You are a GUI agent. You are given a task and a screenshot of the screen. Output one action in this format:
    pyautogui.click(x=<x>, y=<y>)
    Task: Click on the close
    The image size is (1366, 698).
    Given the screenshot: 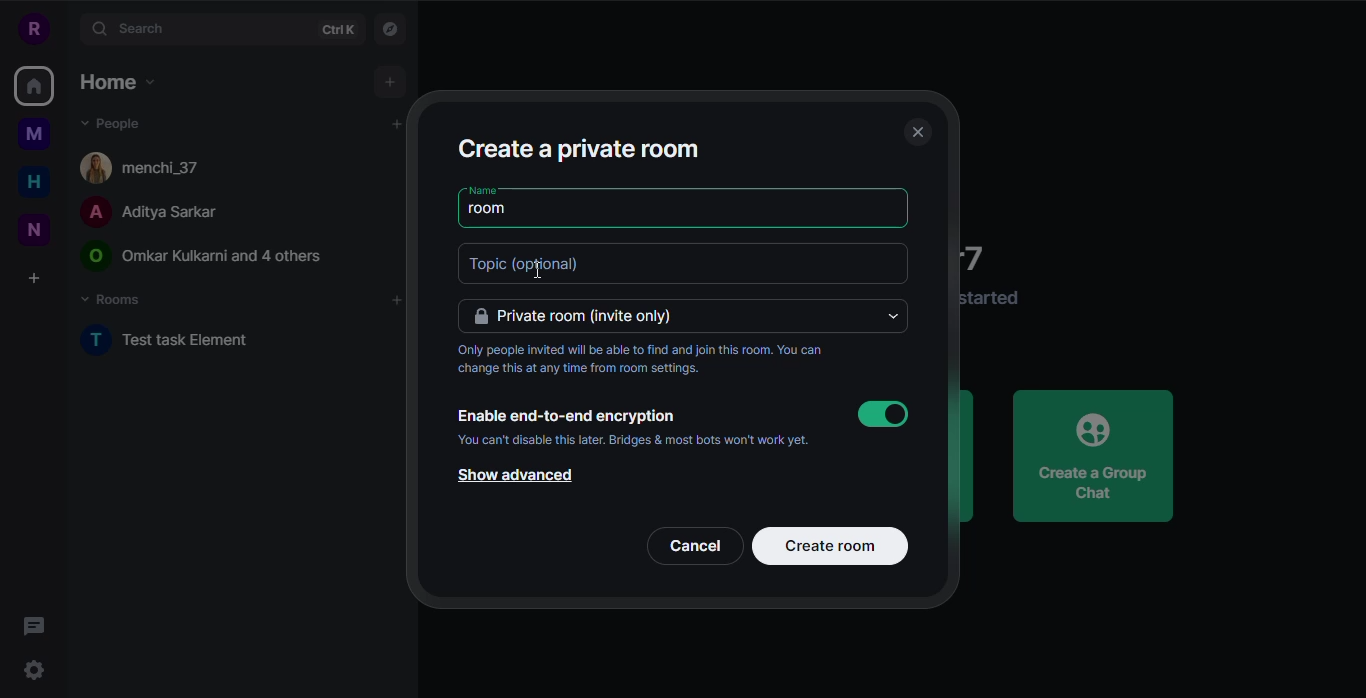 What is the action you would take?
    pyautogui.click(x=916, y=133)
    